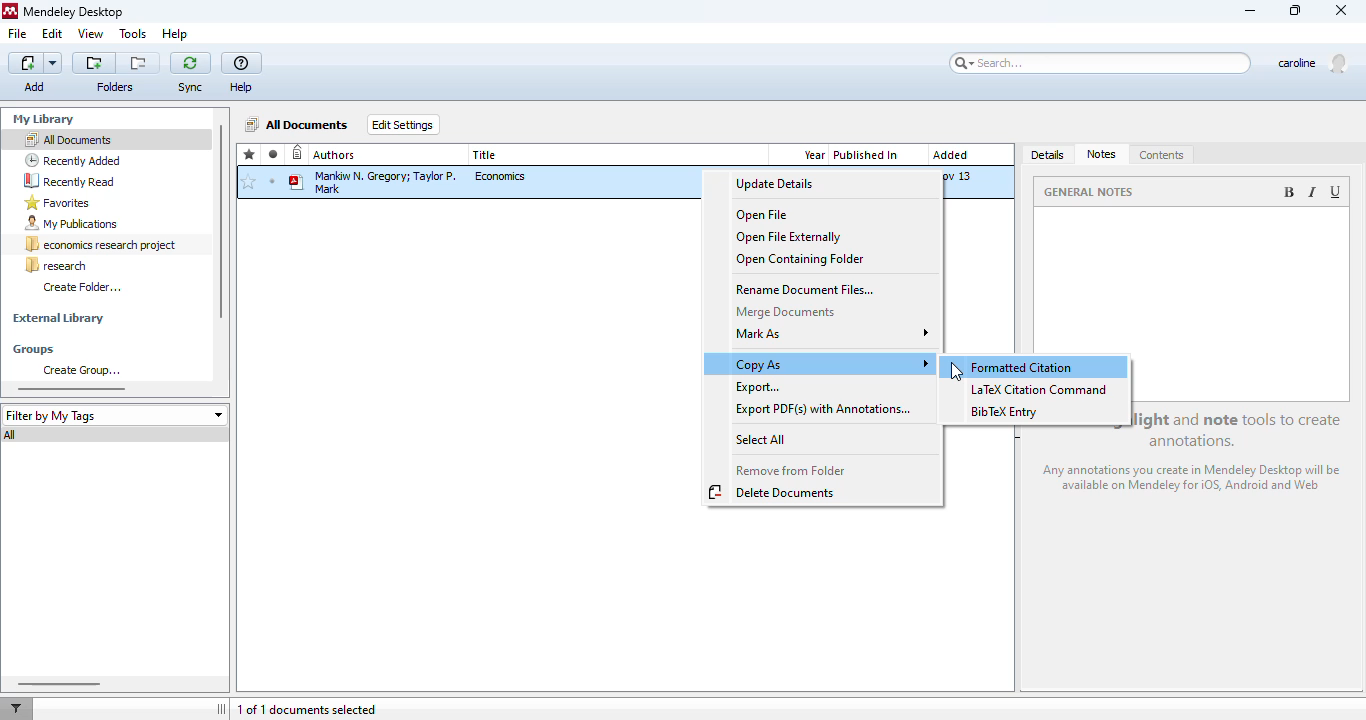 The image size is (1366, 720). What do you see at coordinates (814, 155) in the screenshot?
I see `year` at bounding box center [814, 155].